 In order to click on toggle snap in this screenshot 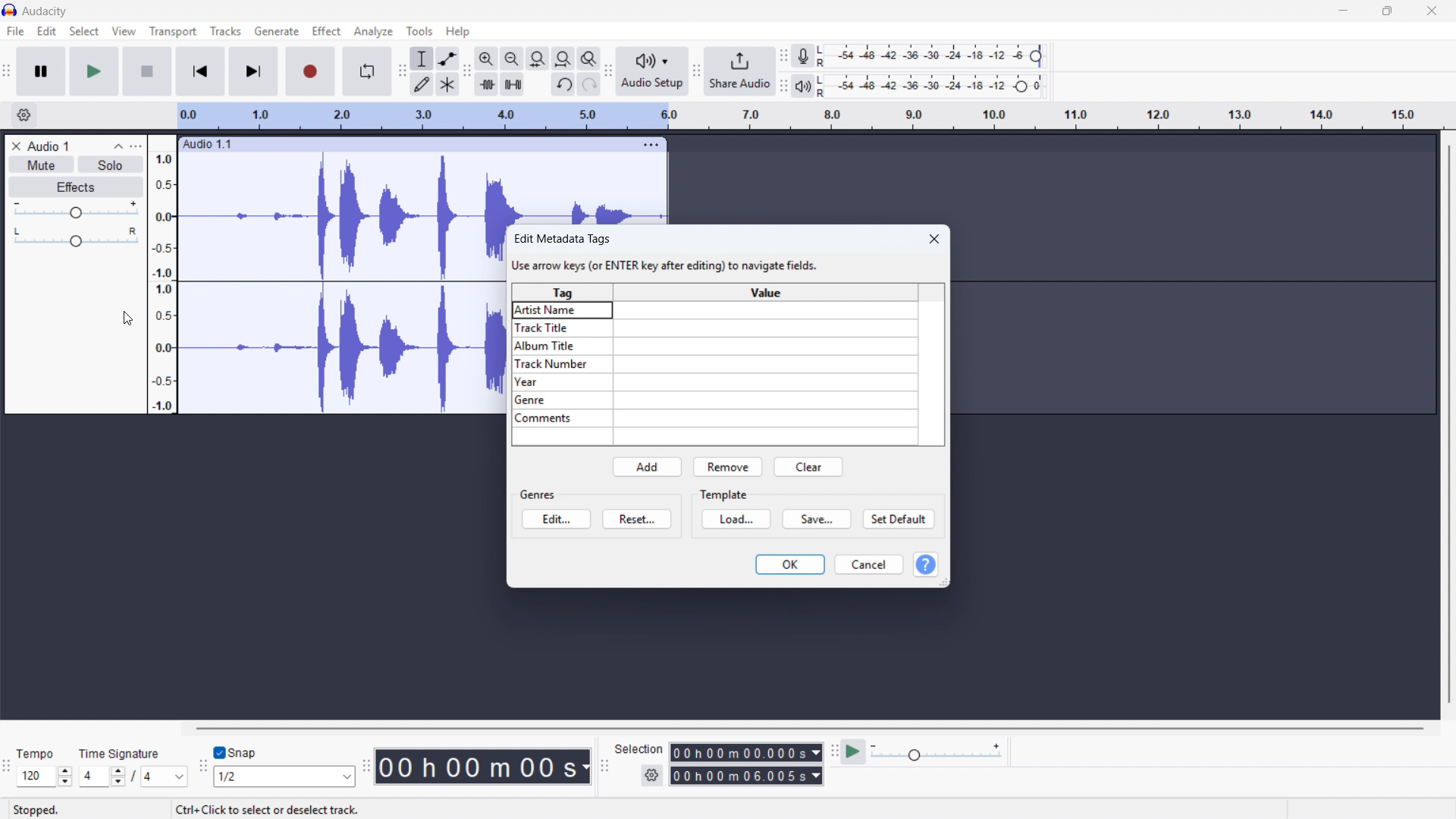, I will do `click(235, 753)`.